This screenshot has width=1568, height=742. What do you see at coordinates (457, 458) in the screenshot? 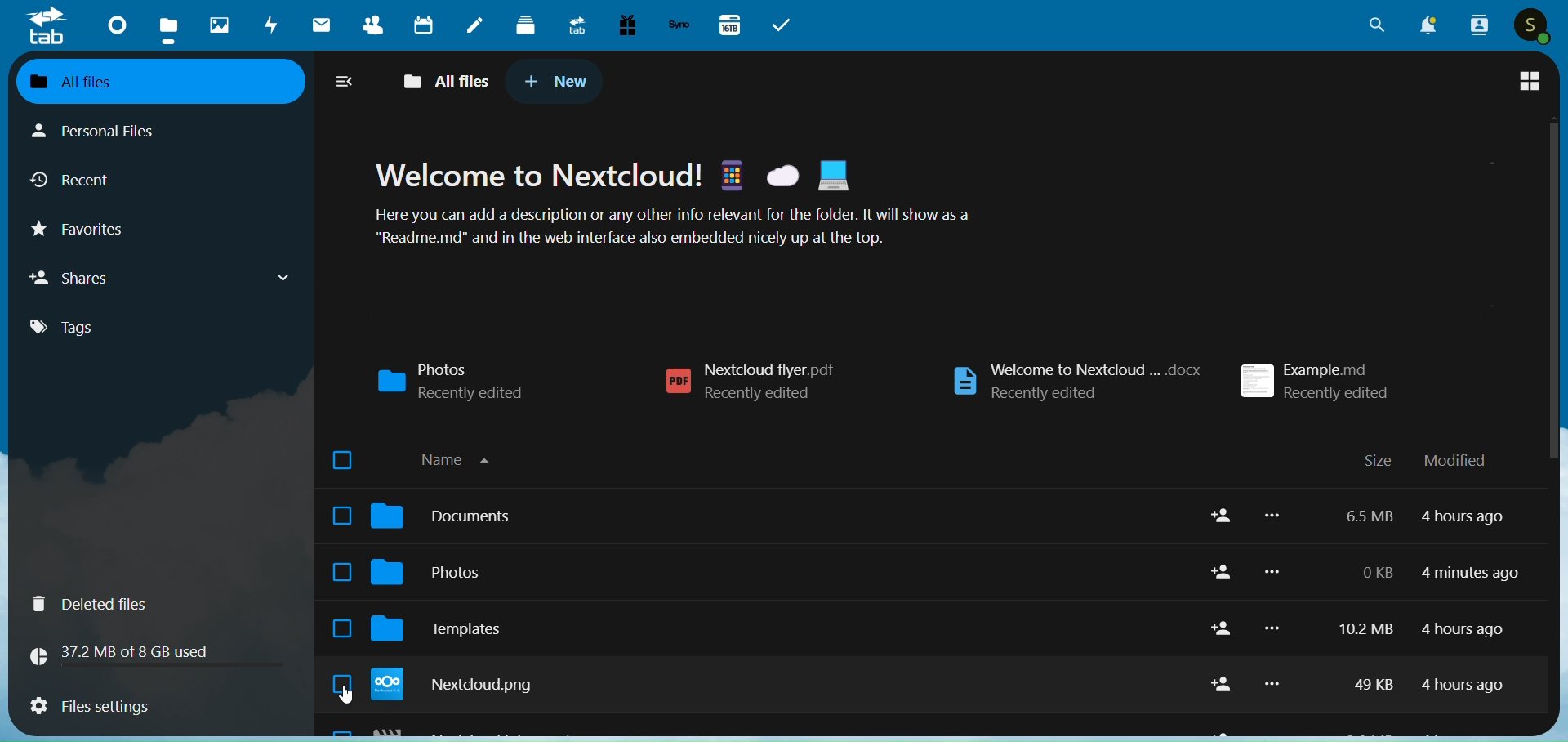
I see `Name` at bounding box center [457, 458].